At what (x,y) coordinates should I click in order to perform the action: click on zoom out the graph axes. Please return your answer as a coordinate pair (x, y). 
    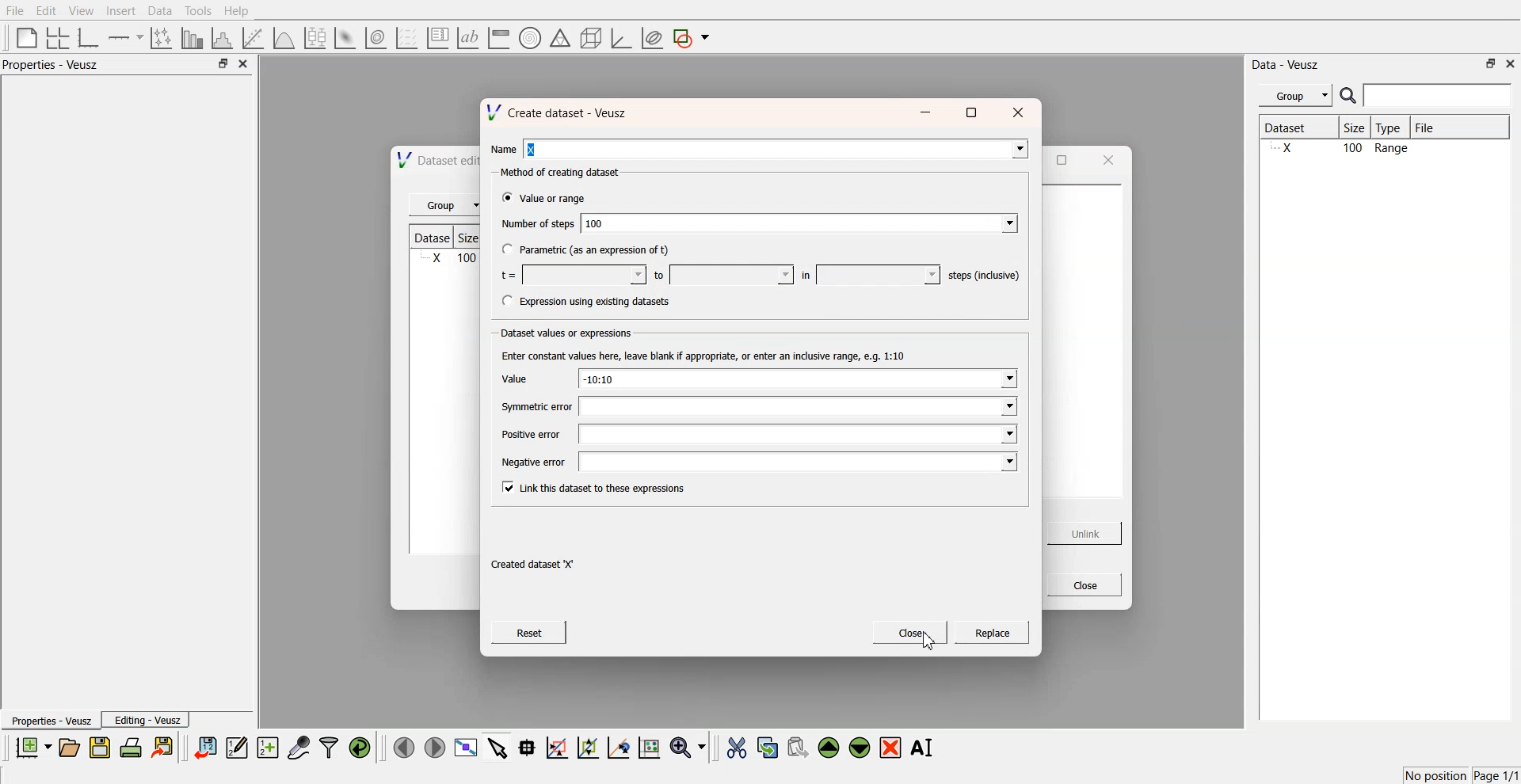
    Looking at the image, I should click on (586, 747).